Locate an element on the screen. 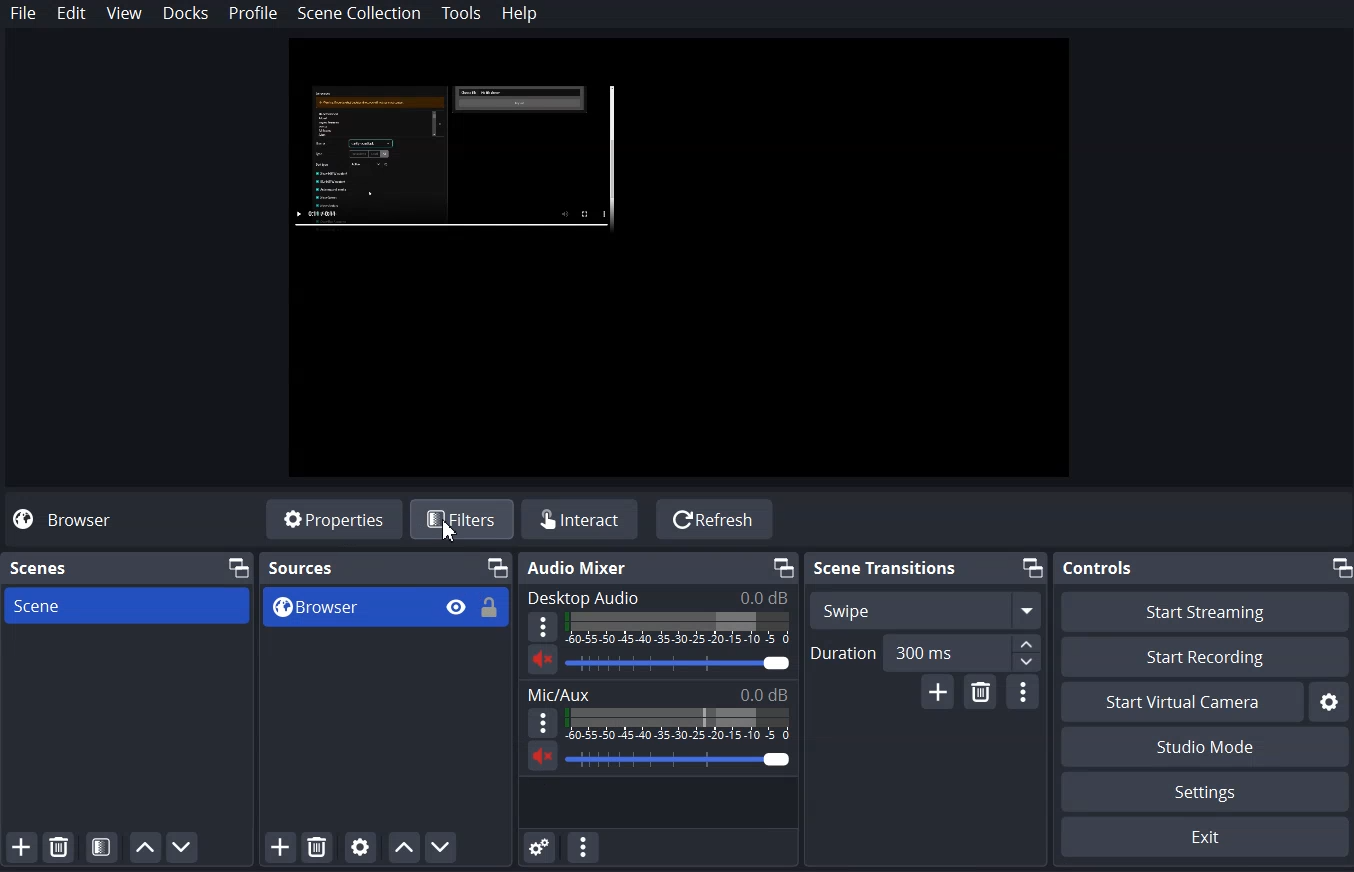 Image resolution: width=1354 pixels, height=872 pixels. Properties is located at coordinates (333, 518).